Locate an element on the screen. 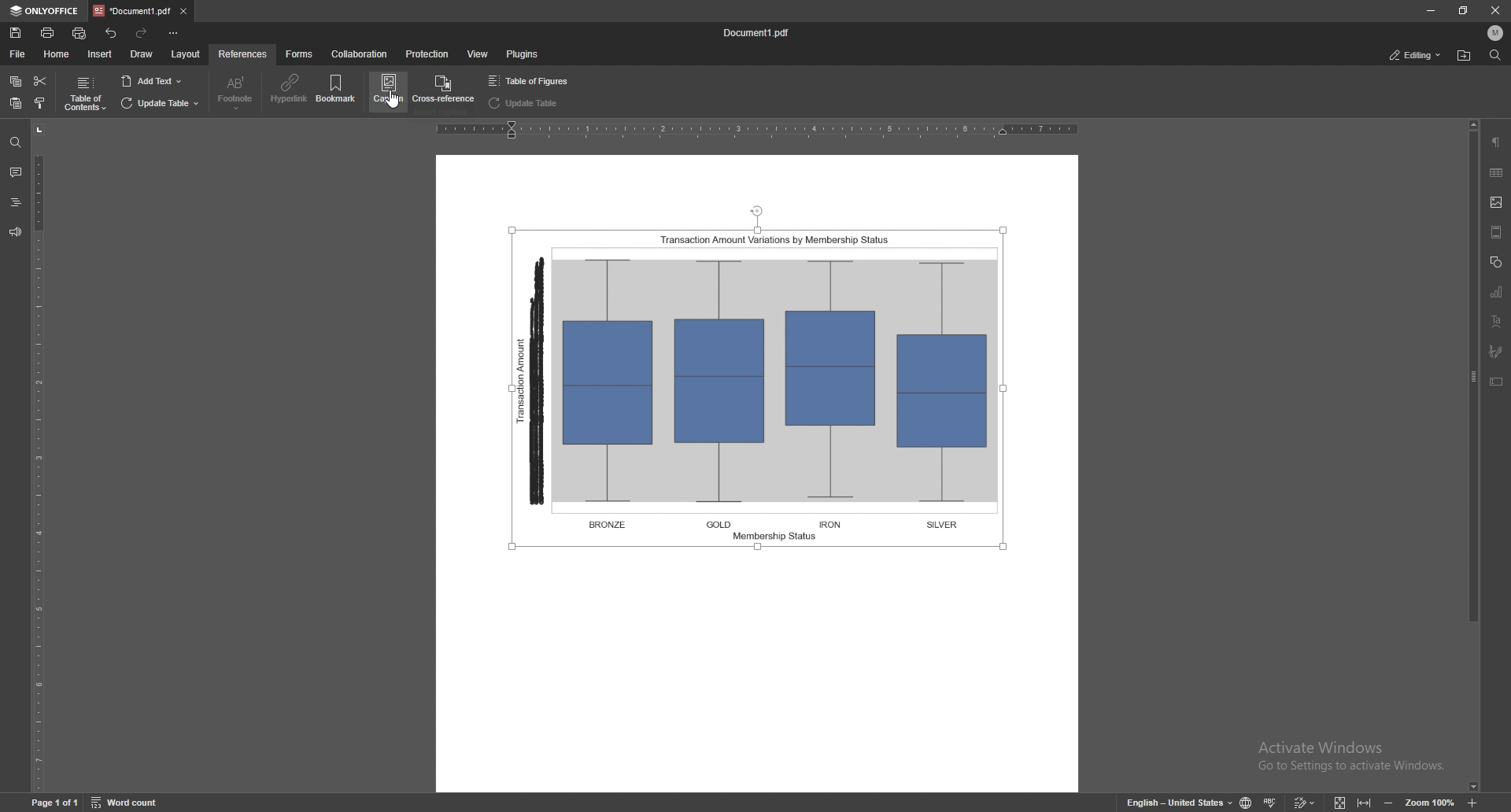 This screenshot has width=1511, height=812. text box is located at coordinates (1497, 381).